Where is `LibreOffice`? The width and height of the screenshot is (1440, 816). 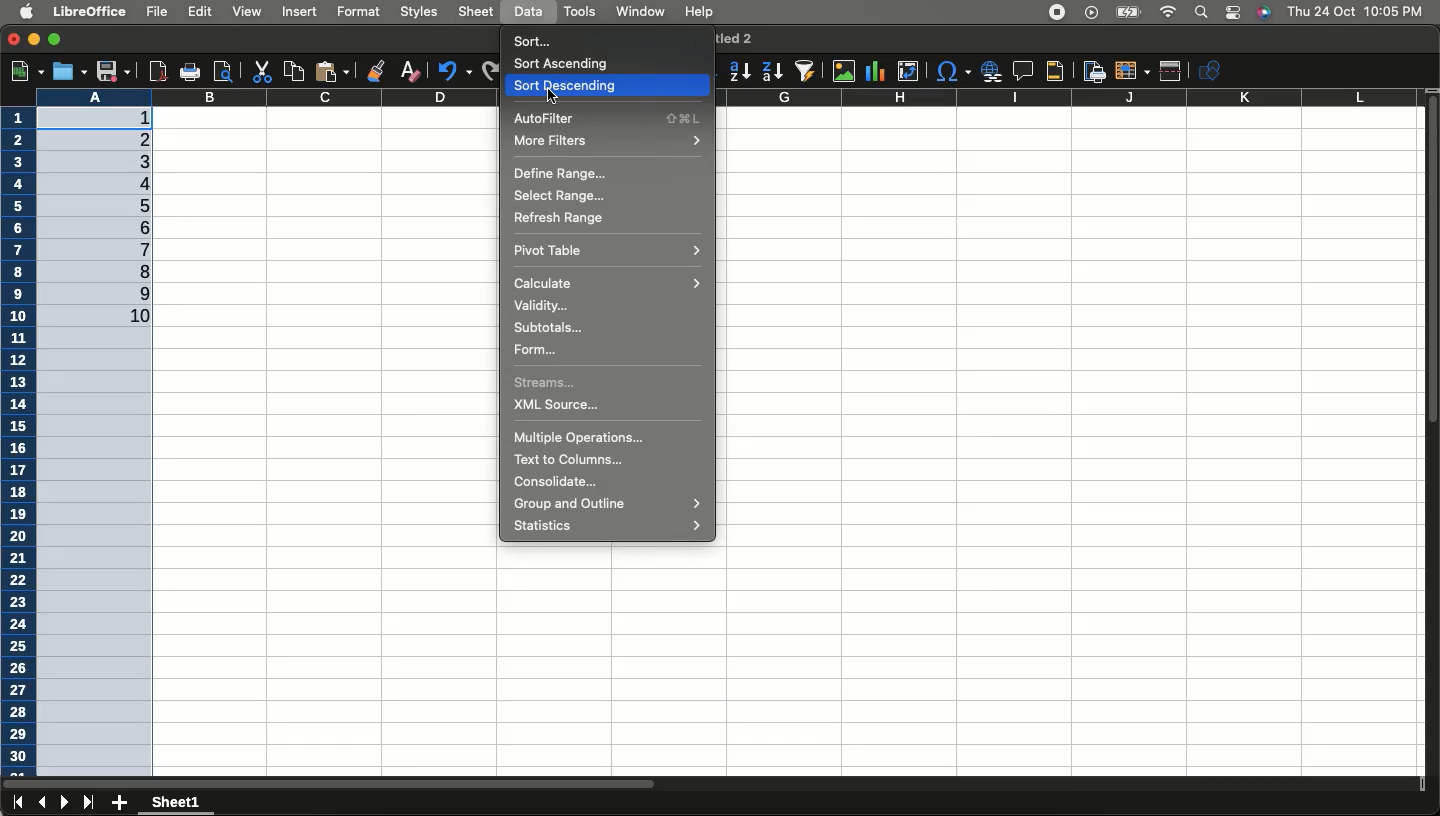
LibreOffice is located at coordinates (92, 12).